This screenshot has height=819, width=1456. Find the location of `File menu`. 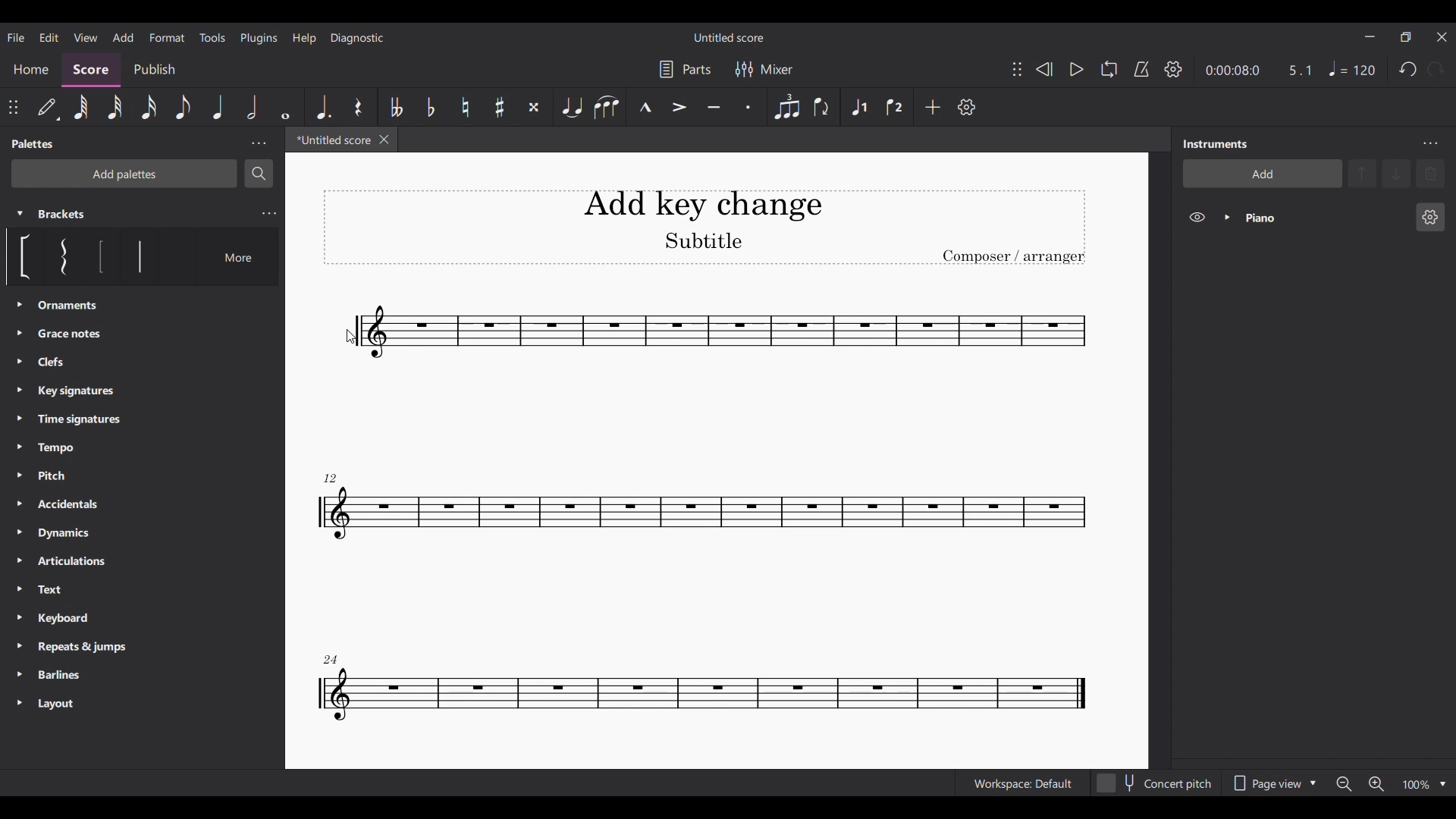

File menu is located at coordinates (16, 37).